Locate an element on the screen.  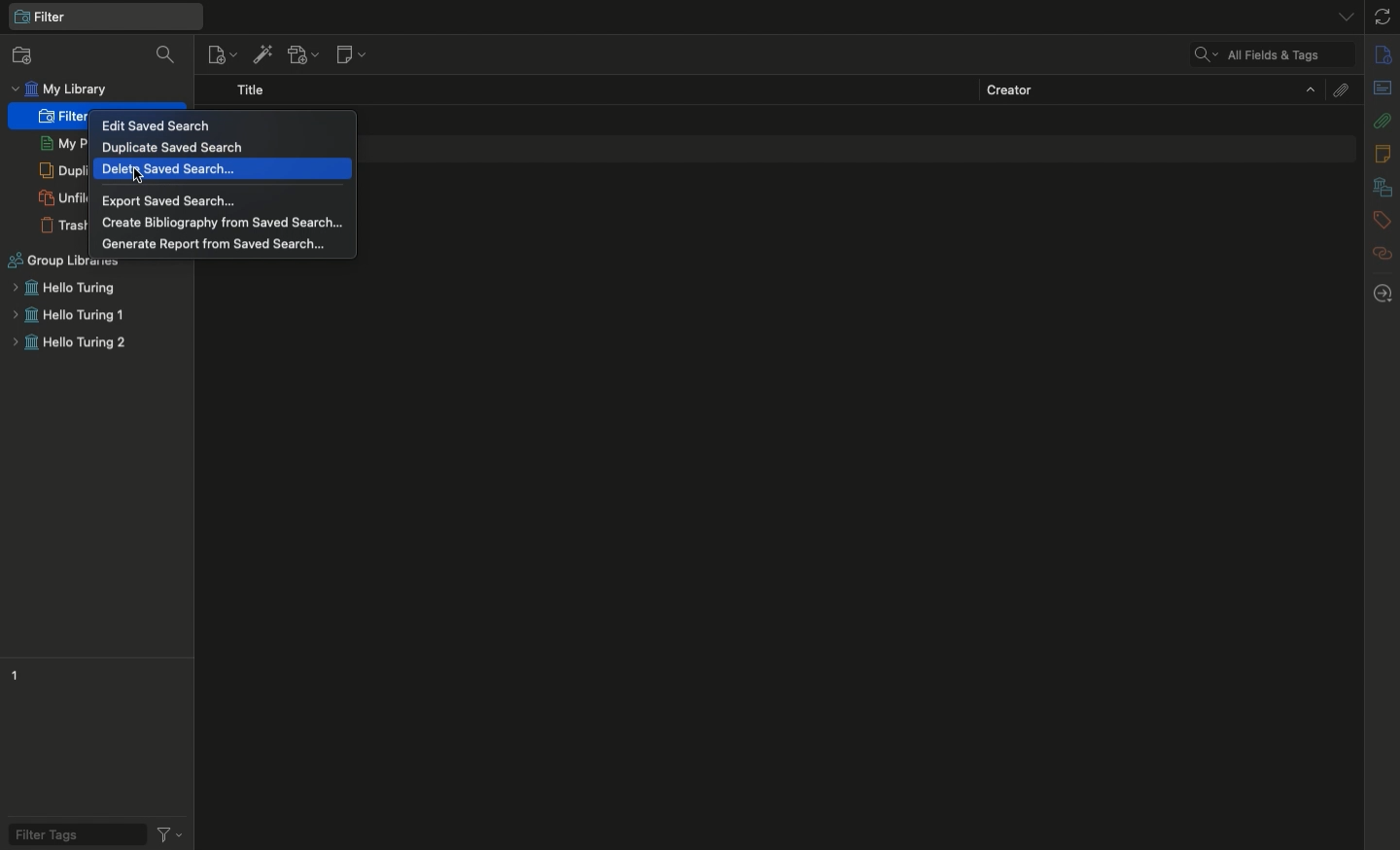
Attachments is located at coordinates (1339, 89).